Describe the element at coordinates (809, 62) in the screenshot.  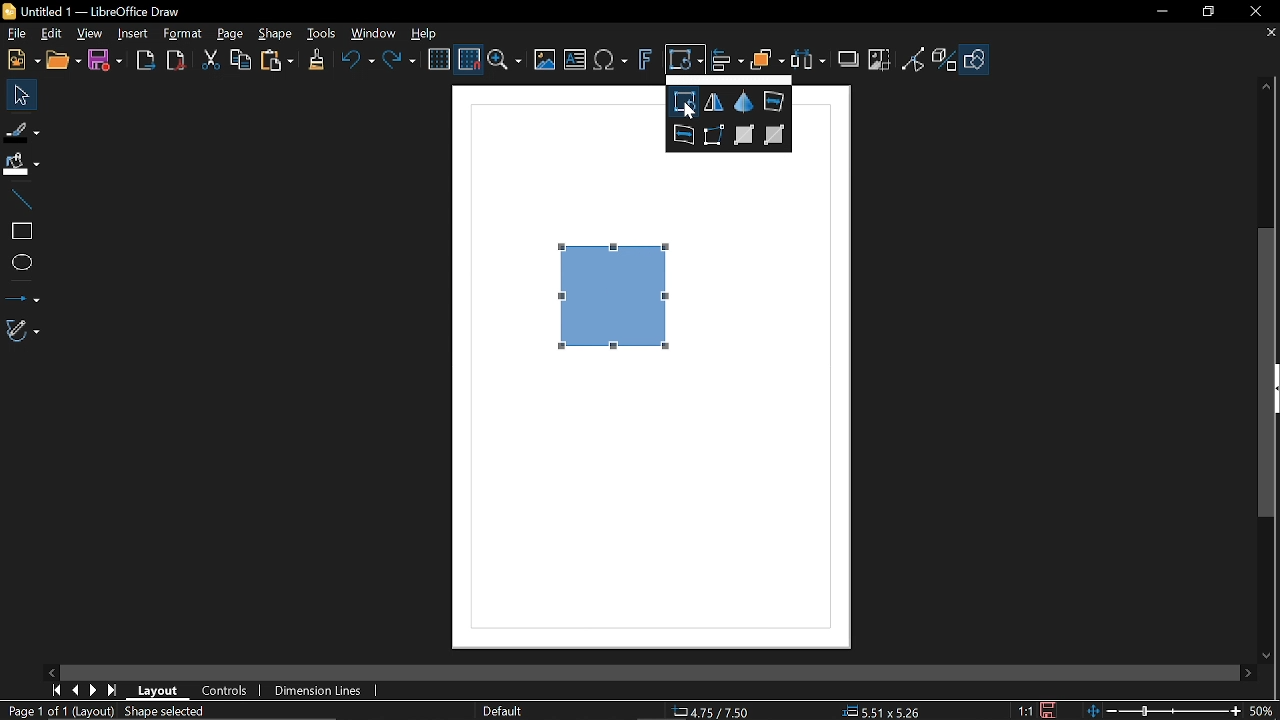
I see `Select at least three object to distribute` at that location.